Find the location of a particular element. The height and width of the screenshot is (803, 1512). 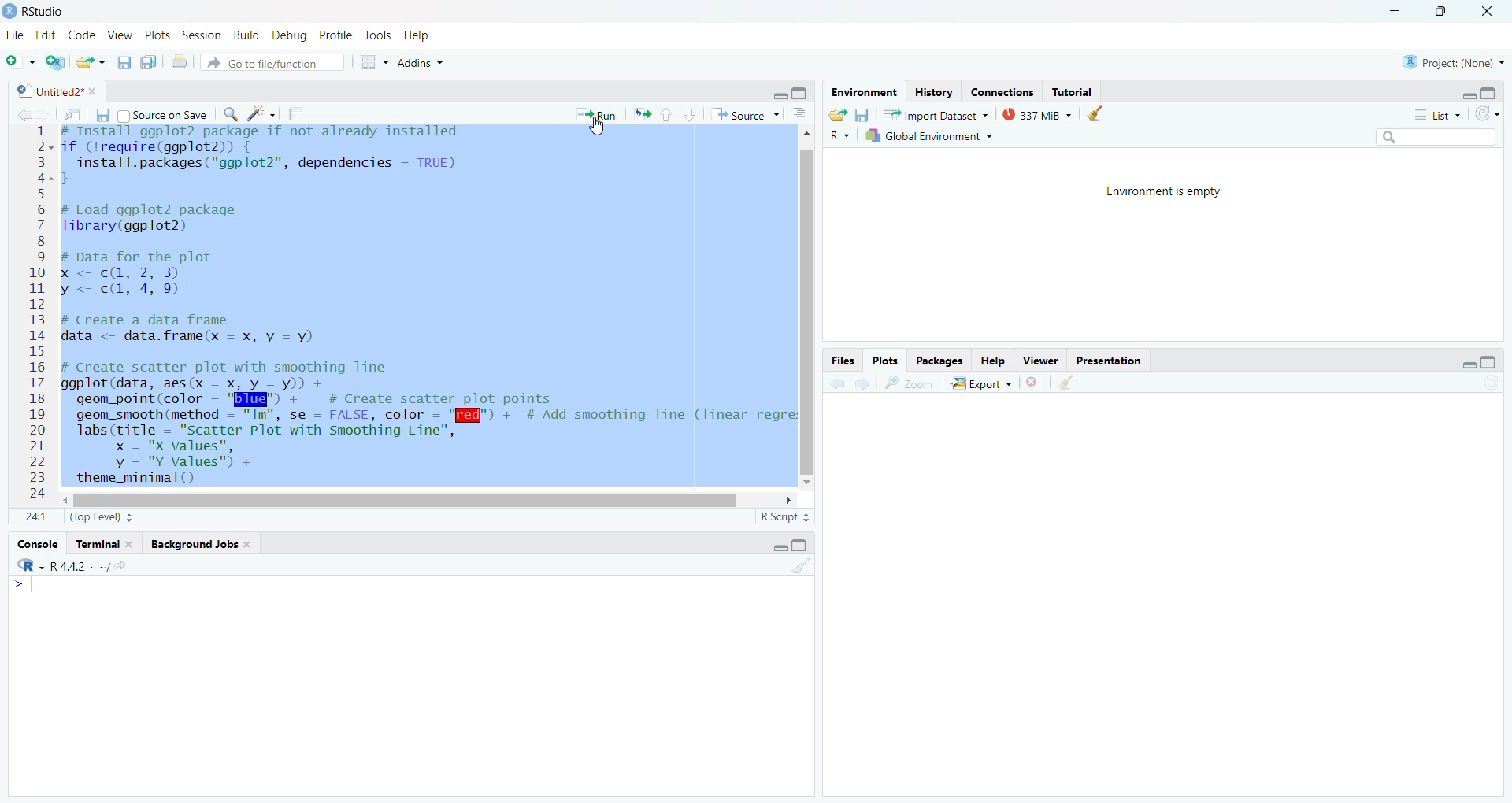

Console is located at coordinates (35, 547).